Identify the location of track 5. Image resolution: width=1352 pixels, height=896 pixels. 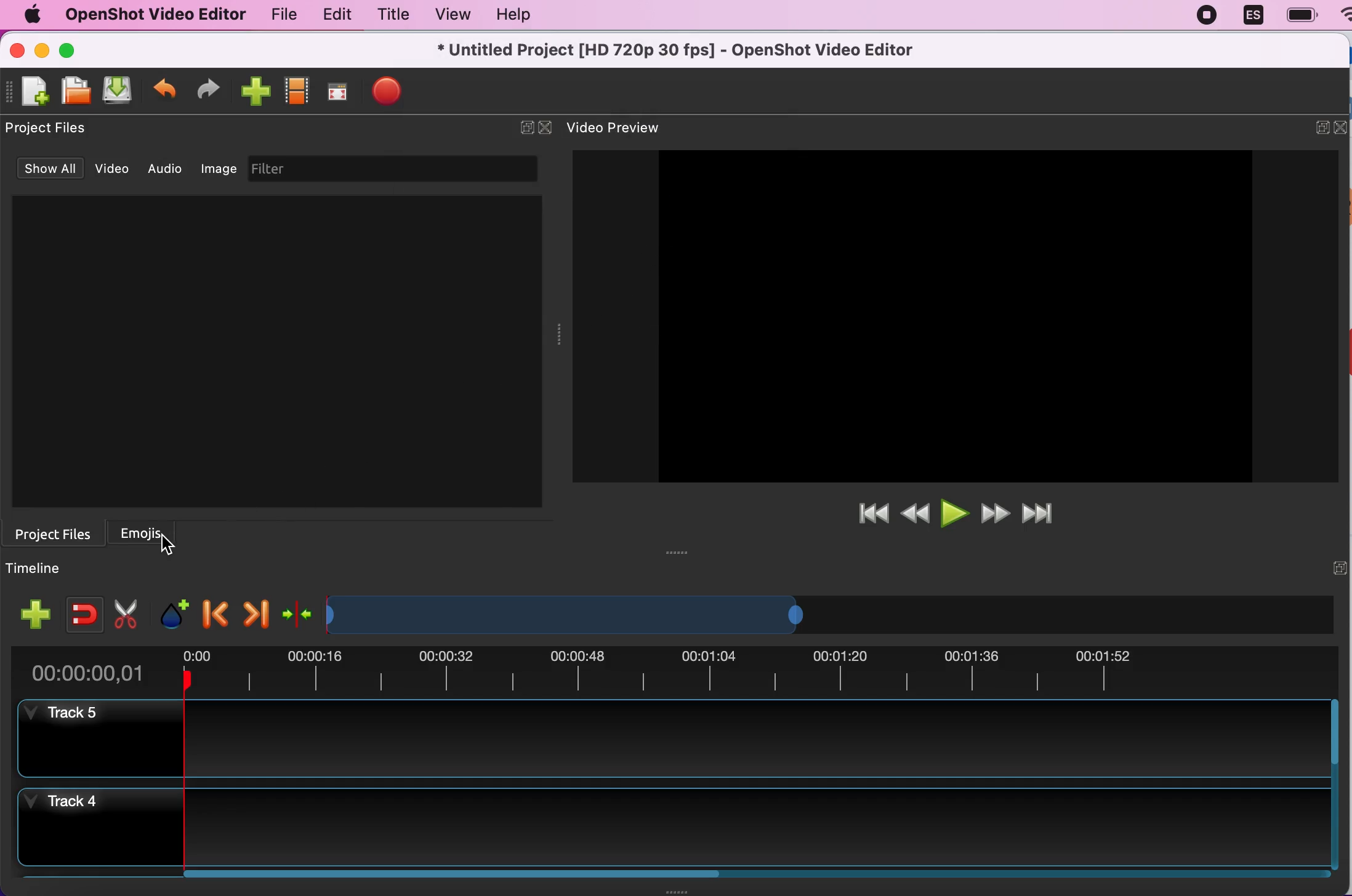
(671, 739).